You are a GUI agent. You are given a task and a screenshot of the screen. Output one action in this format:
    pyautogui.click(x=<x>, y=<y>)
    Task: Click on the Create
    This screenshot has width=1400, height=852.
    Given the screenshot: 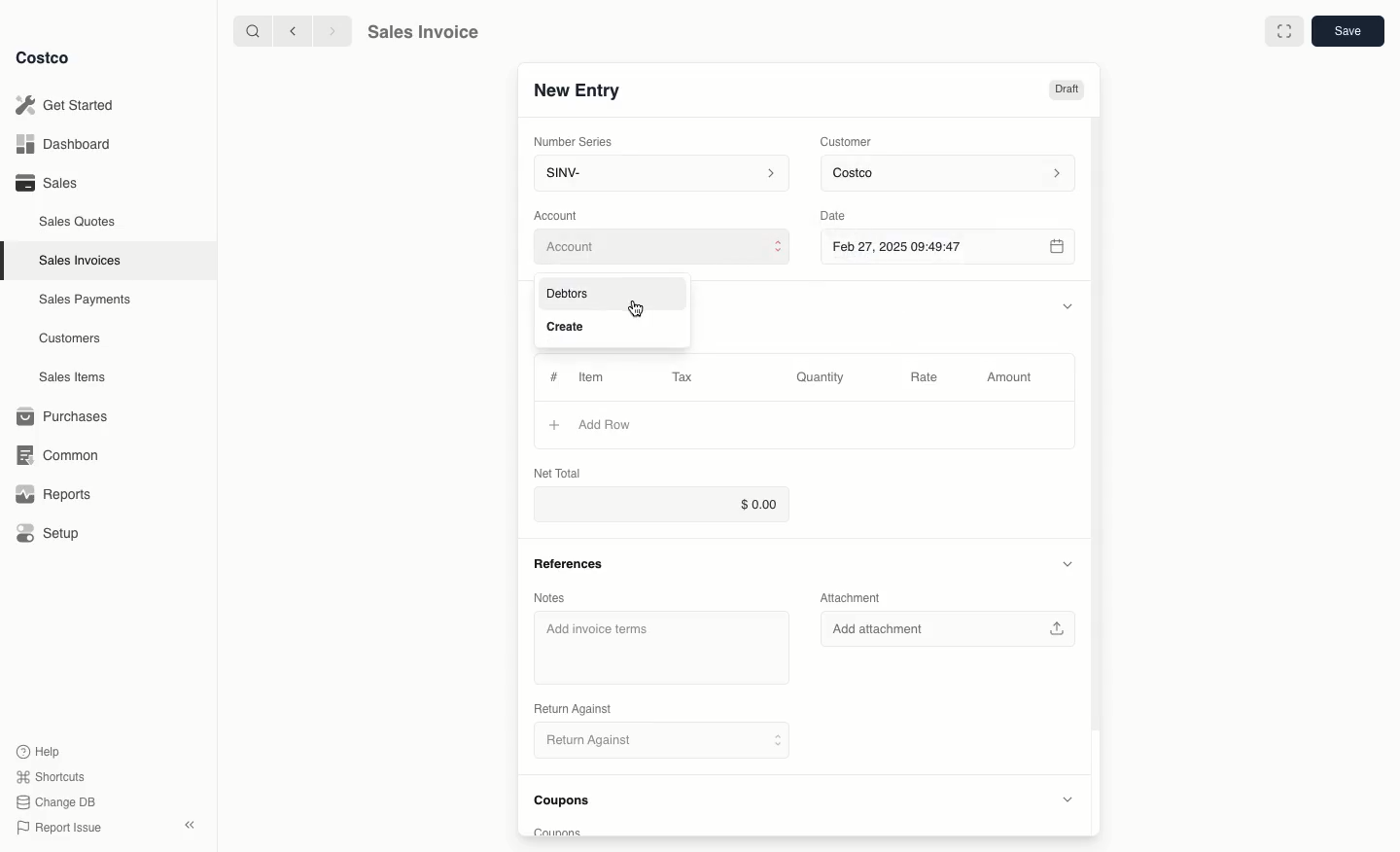 What is the action you would take?
    pyautogui.click(x=567, y=327)
    